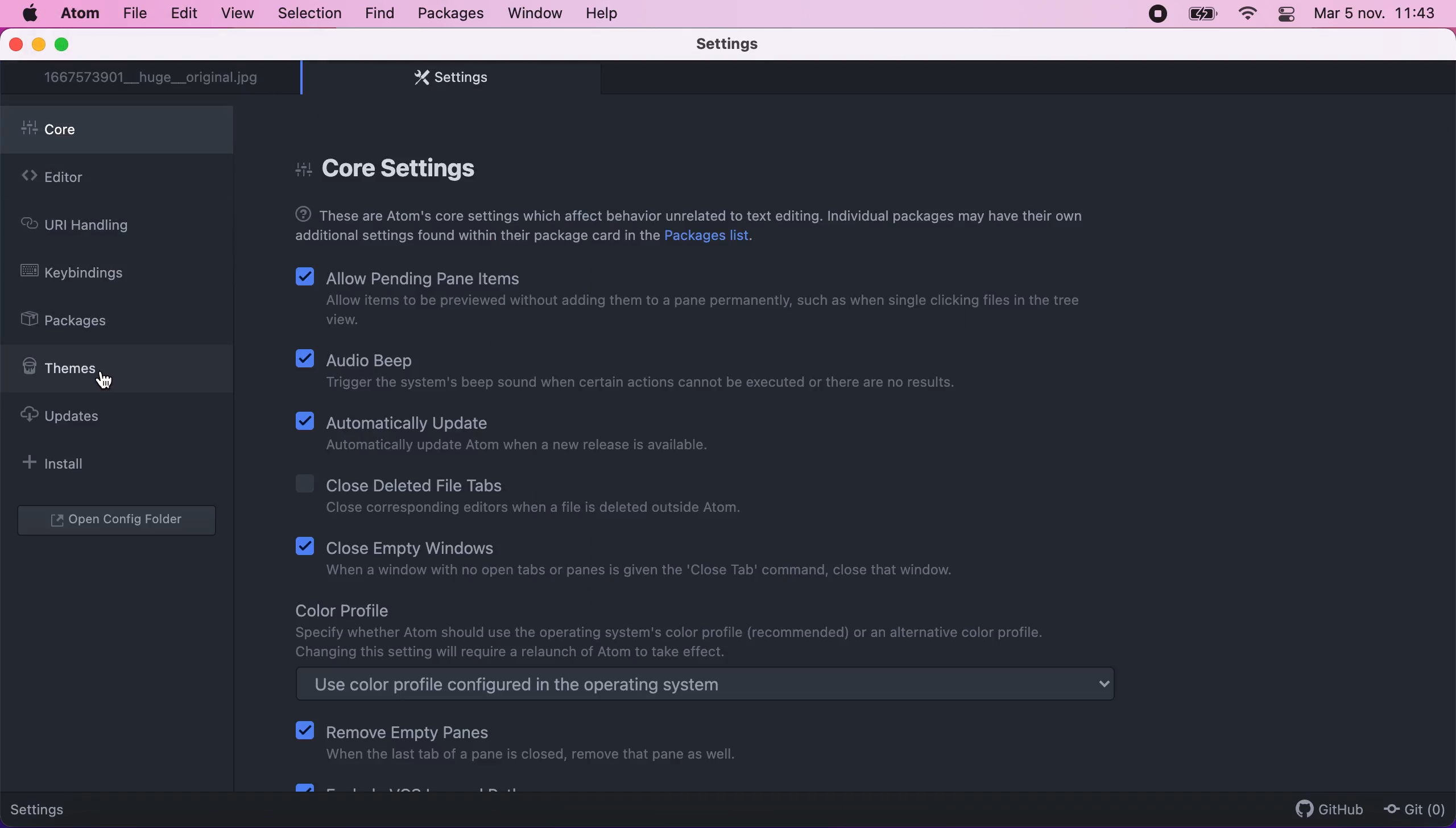 The height and width of the screenshot is (828, 1456). What do you see at coordinates (705, 685) in the screenshot?
I see `use color profile configured in the operating system` at bounding box center [705, 685].